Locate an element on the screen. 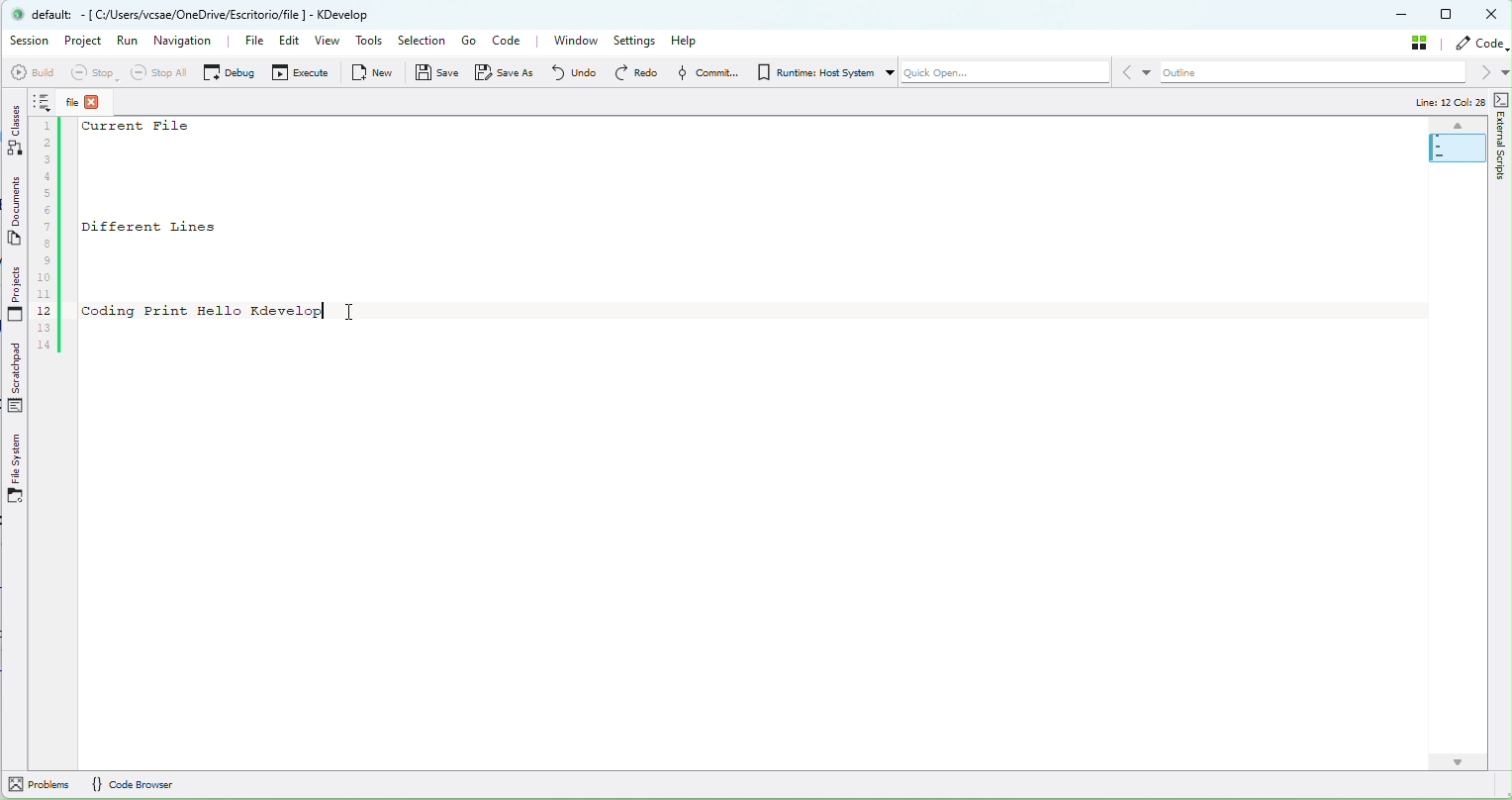 Image resolution: width=1512 pixels, height=800 pixels. default: - [ C:/Users/vcsae/OneDrive/Escritorio/file] - KDevelop (Application details) is located at coordinates (207, 14).